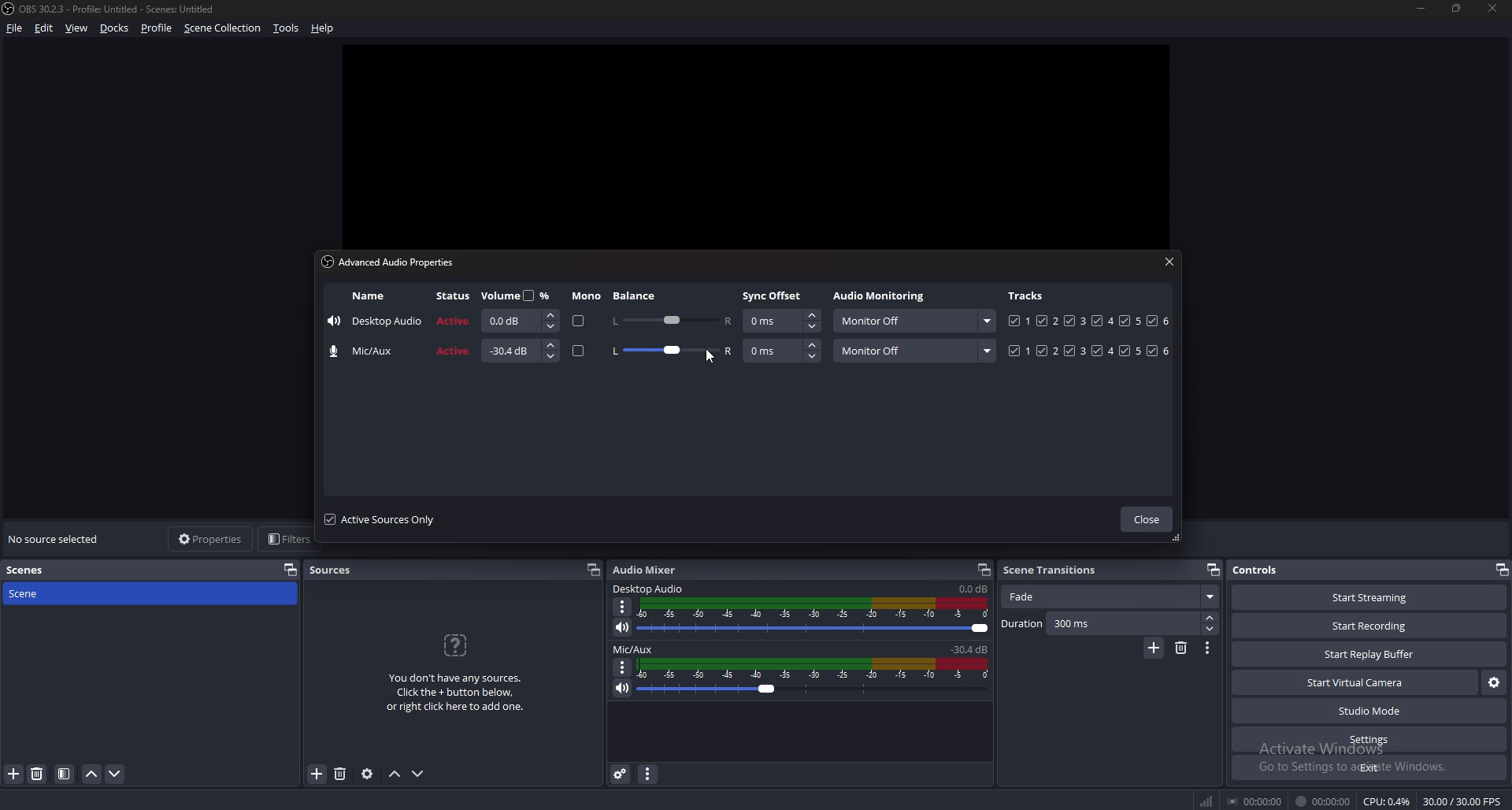 This screenshot has height=810, width=1512. I want to click on audio mixer menu, so click(647, 775).